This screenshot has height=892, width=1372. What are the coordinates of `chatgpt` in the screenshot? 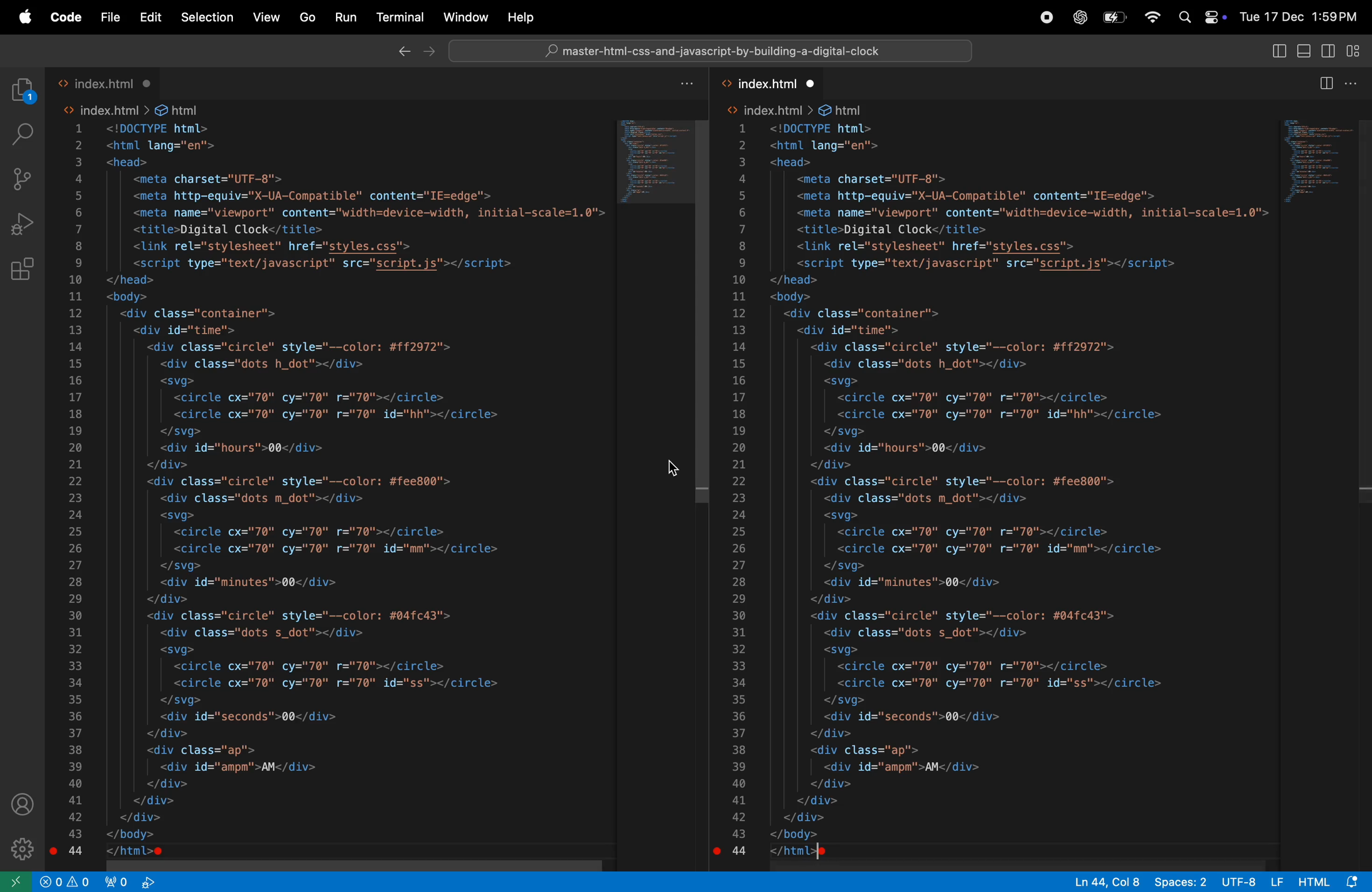 It's located at (1080, 17).